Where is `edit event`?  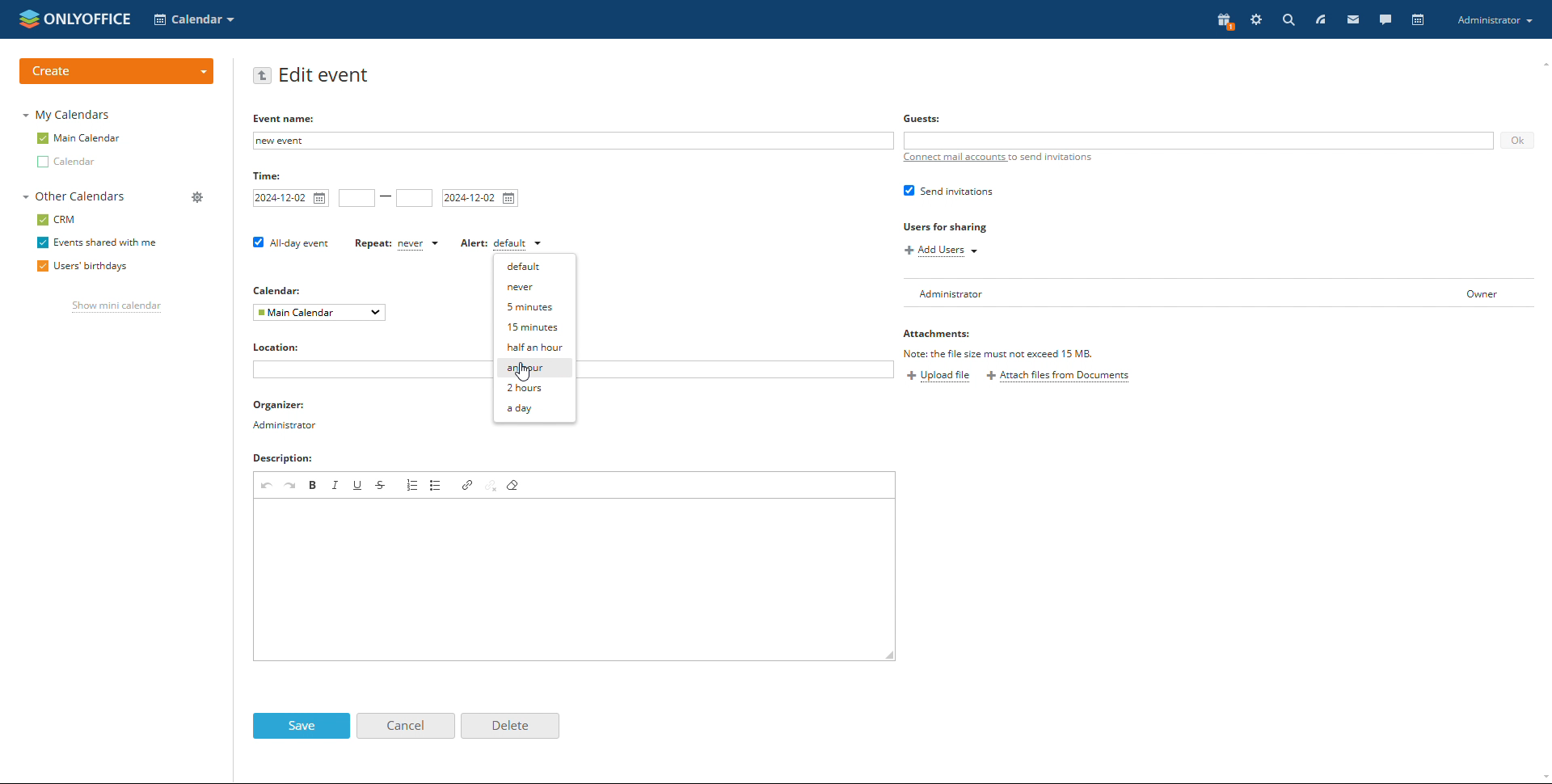 edit event is located at coordinates (324, 76).